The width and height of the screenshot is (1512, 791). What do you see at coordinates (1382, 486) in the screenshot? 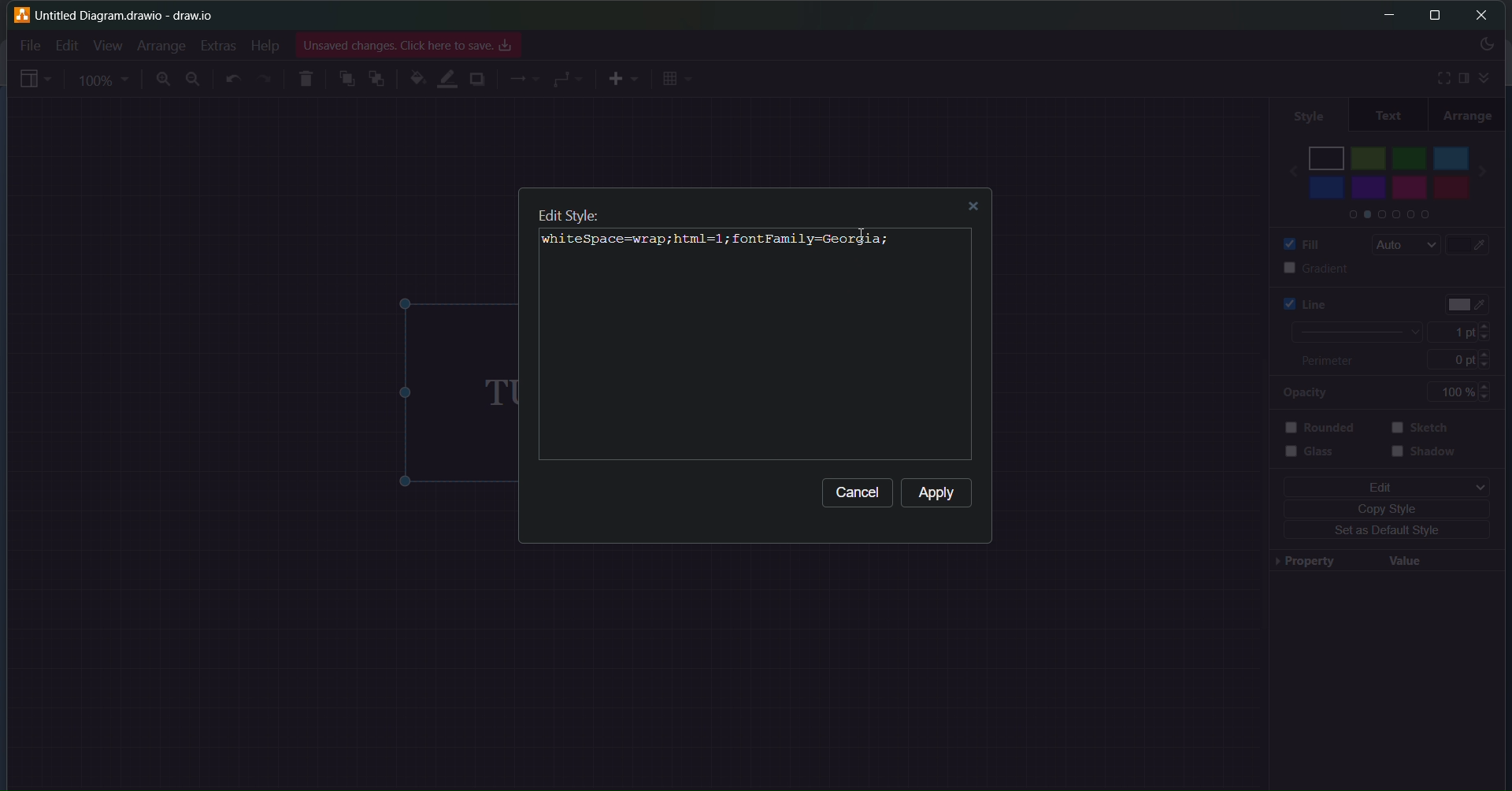
I see `edit` at bounding box center [1382, 486].